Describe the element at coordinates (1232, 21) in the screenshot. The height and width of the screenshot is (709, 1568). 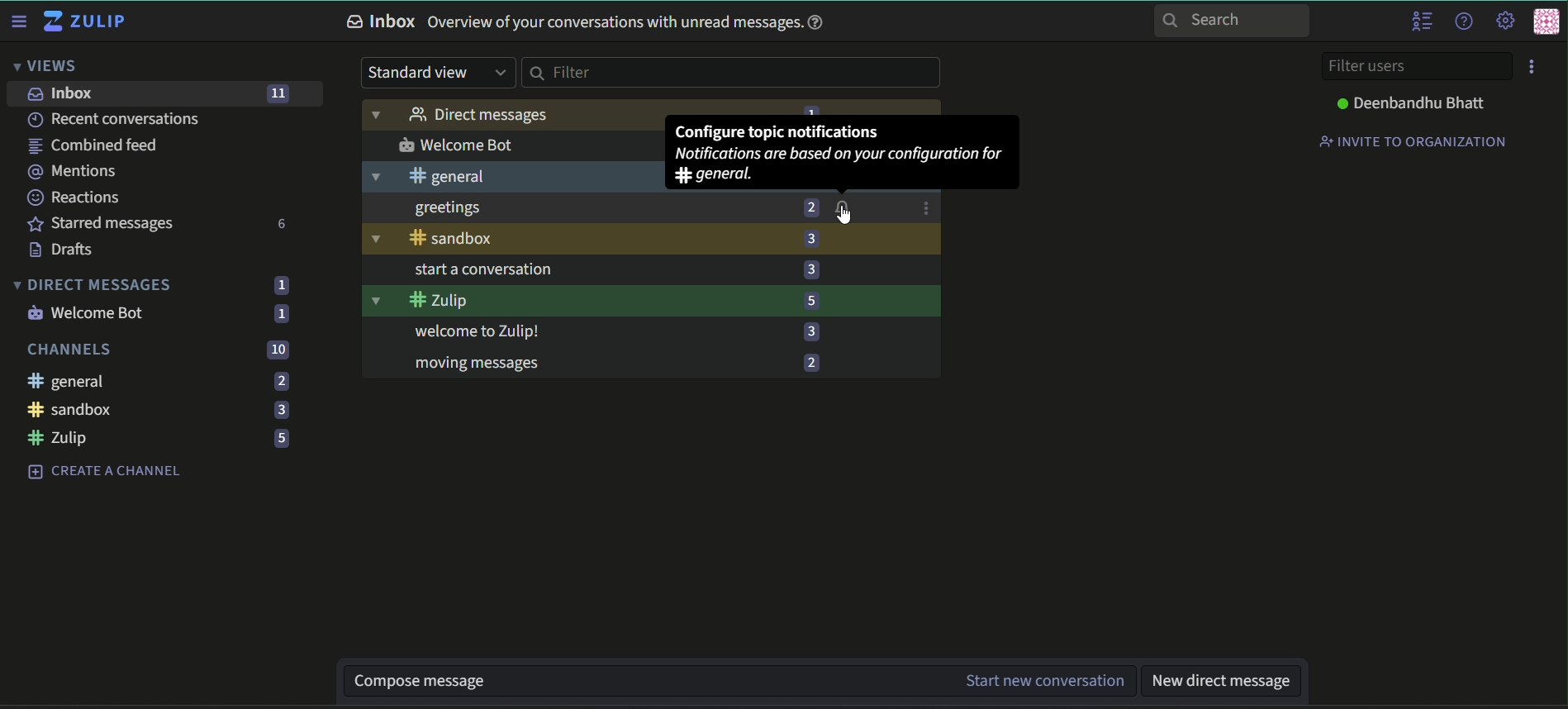
I see `Search bar` at that location.